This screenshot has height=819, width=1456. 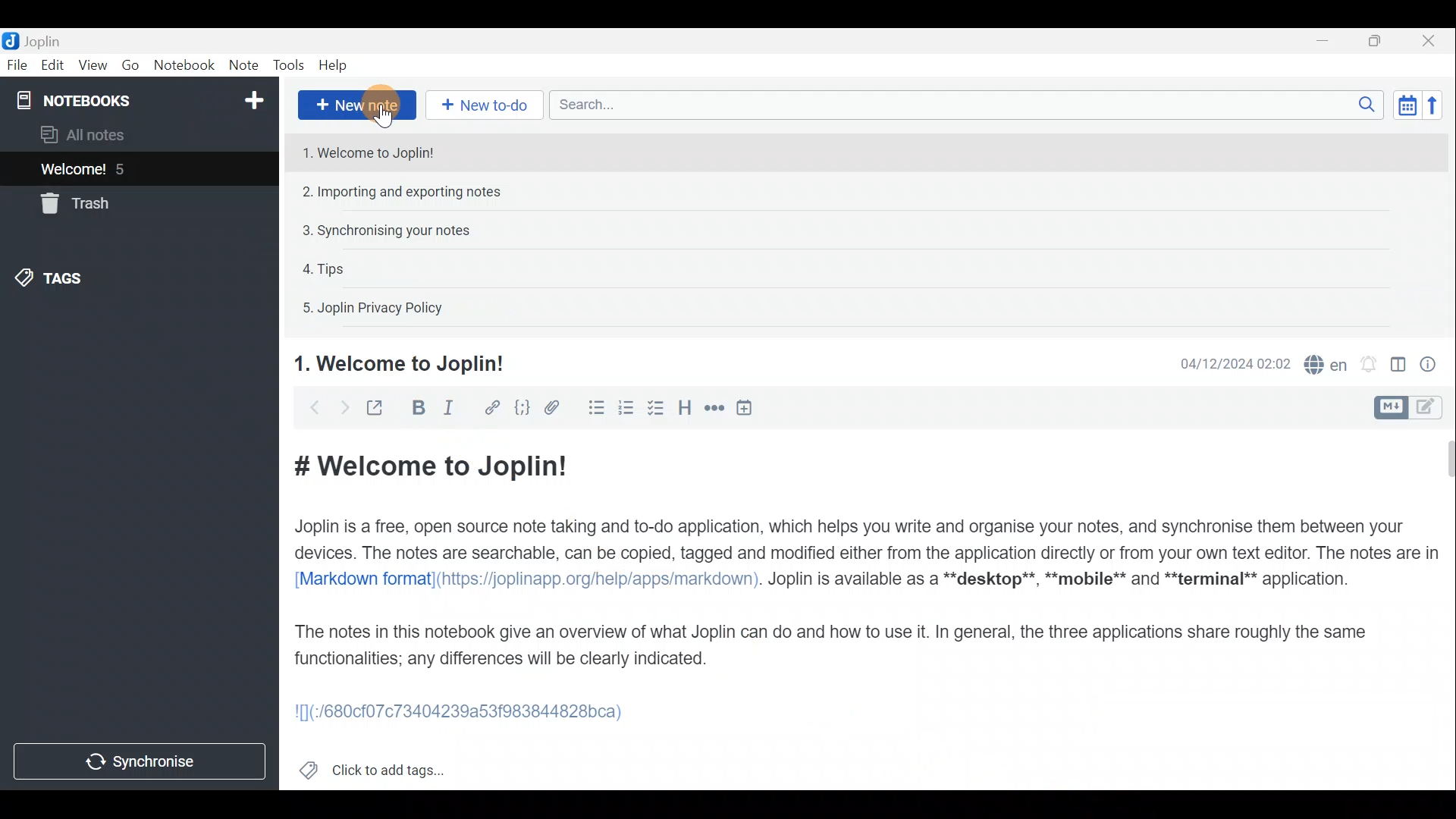 I want to click on Bold, so click(x=419, y=408).